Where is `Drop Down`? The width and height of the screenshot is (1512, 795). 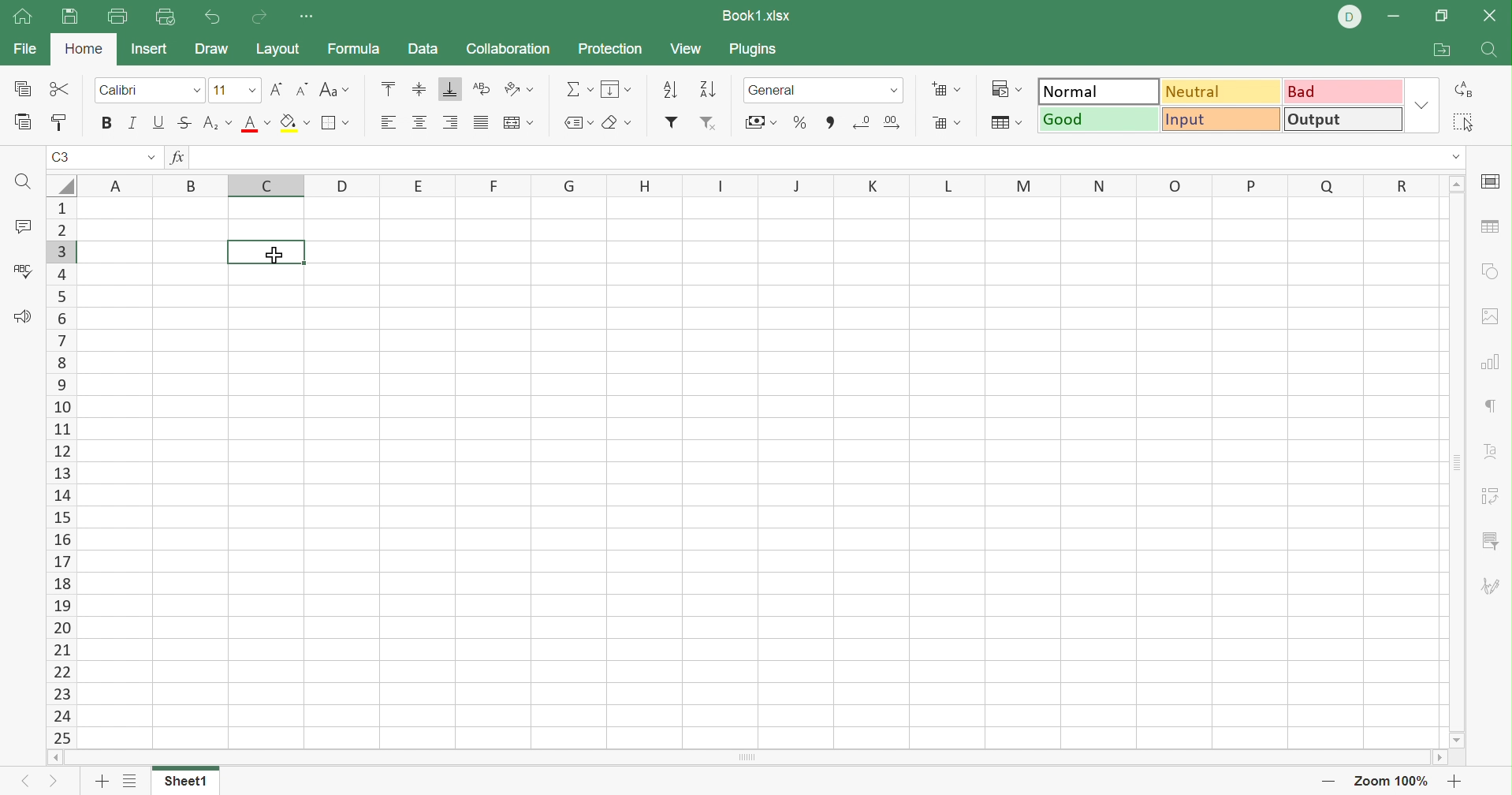
Drop Down is located at coordinates (248, 89).